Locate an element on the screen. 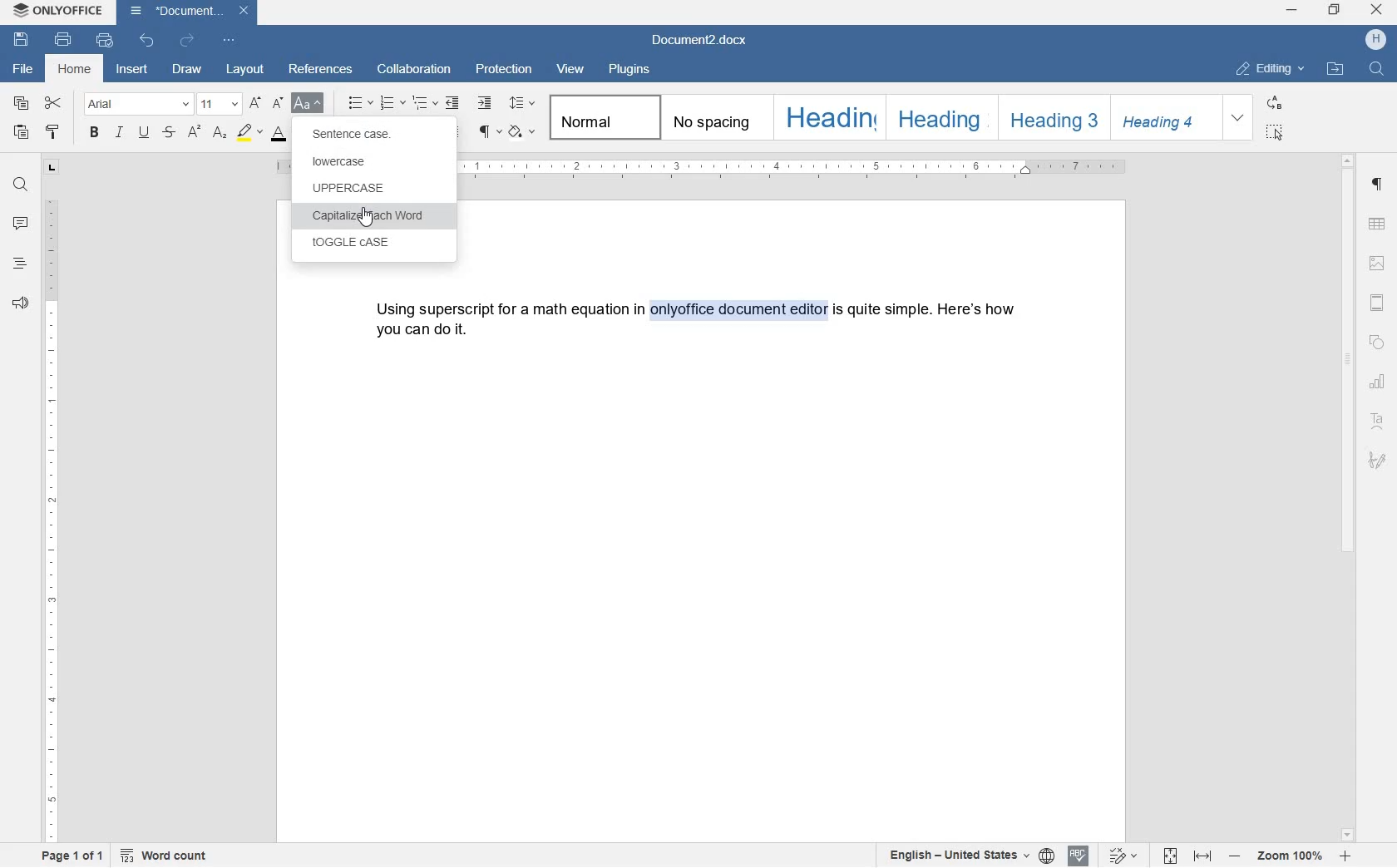  view is located at coordinates (571, 67).